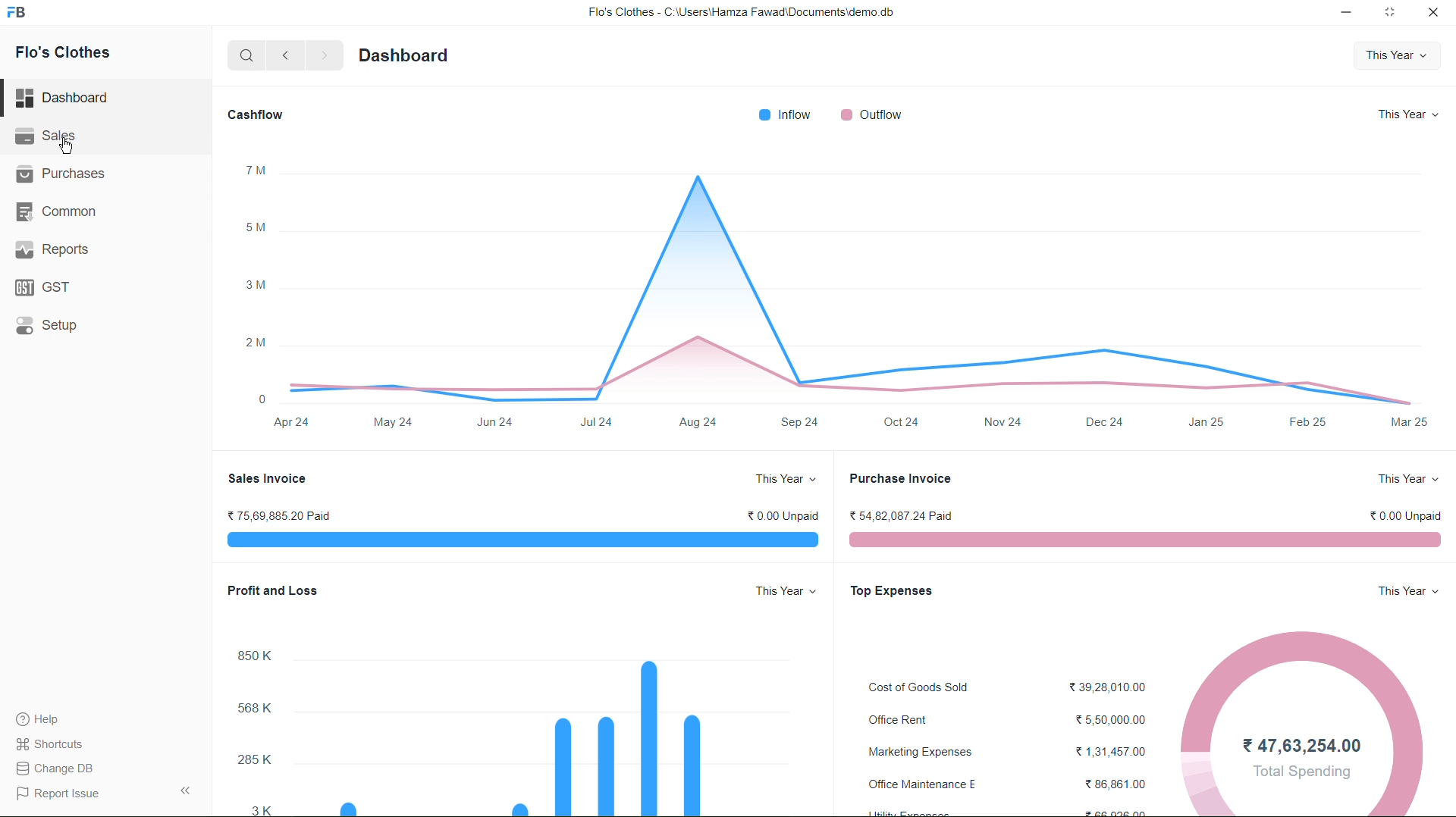 This screenshot has width=1456, height=817. Describe the element at coordinates (1106, 784) in the screenshot. I see `Rs. 86,861.00` at that location.